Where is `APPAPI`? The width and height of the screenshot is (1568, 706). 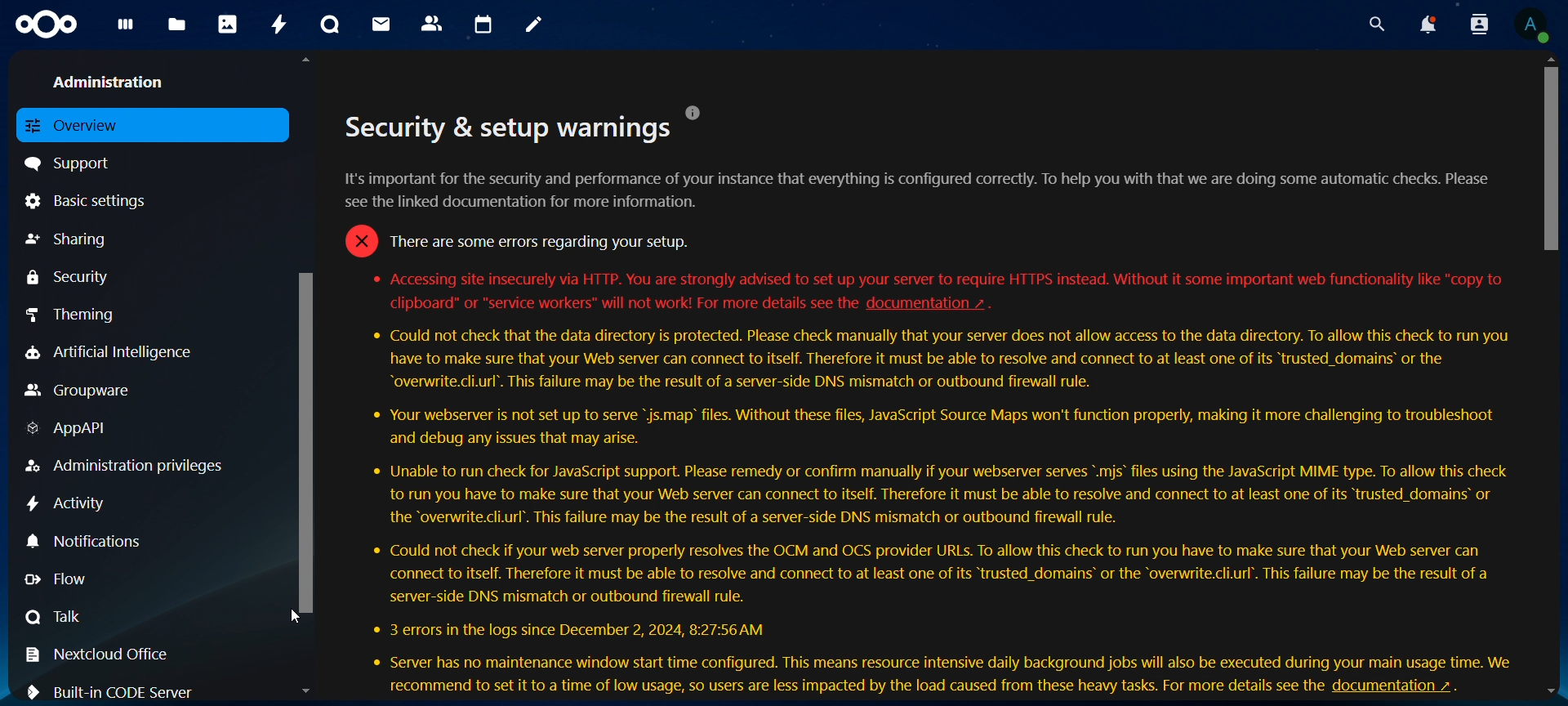 APPAPI is located at coordinates (69, 431).